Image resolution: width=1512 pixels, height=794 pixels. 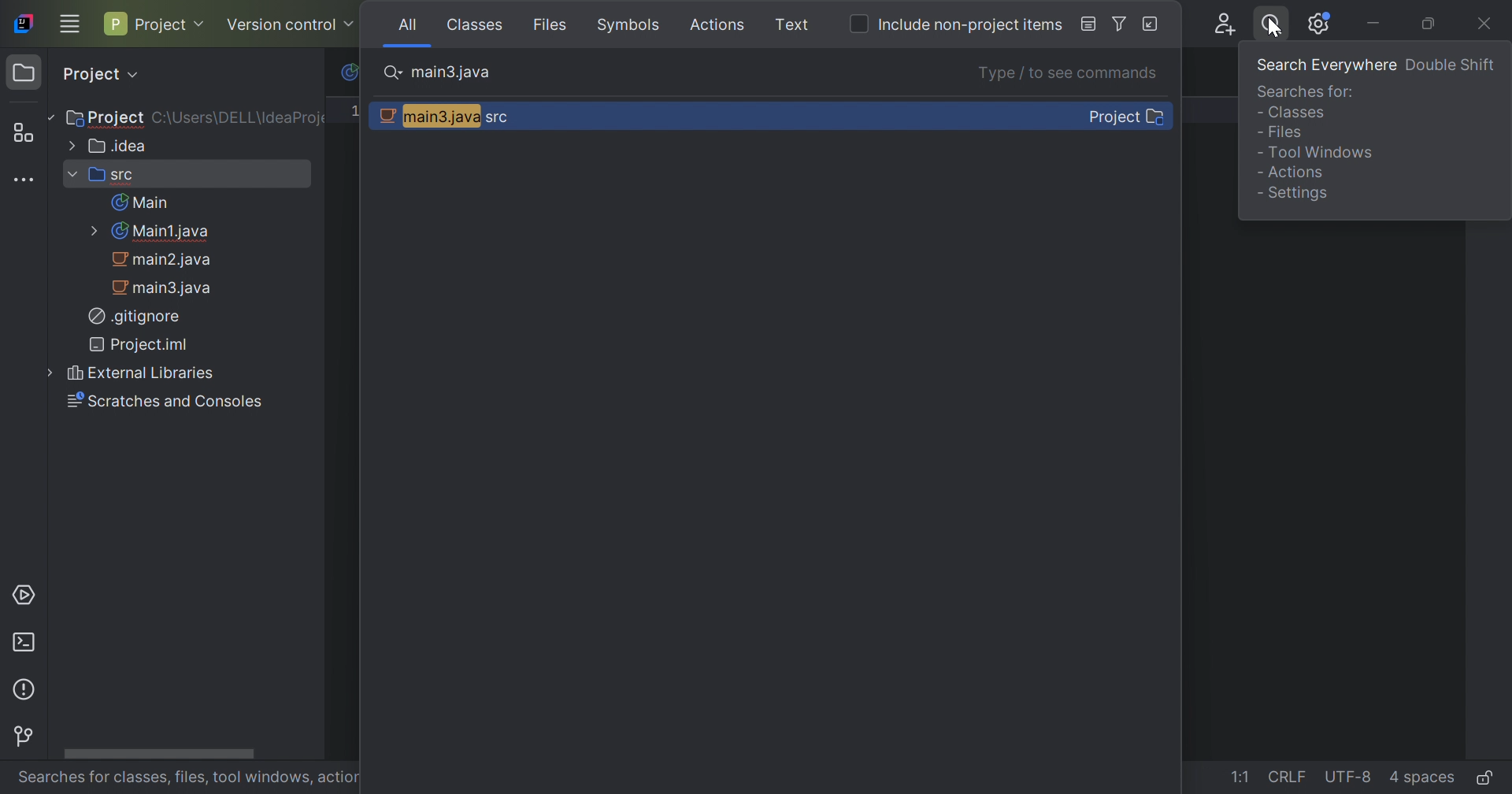 I want to click on External Libraries, so click(x=127, y=373).